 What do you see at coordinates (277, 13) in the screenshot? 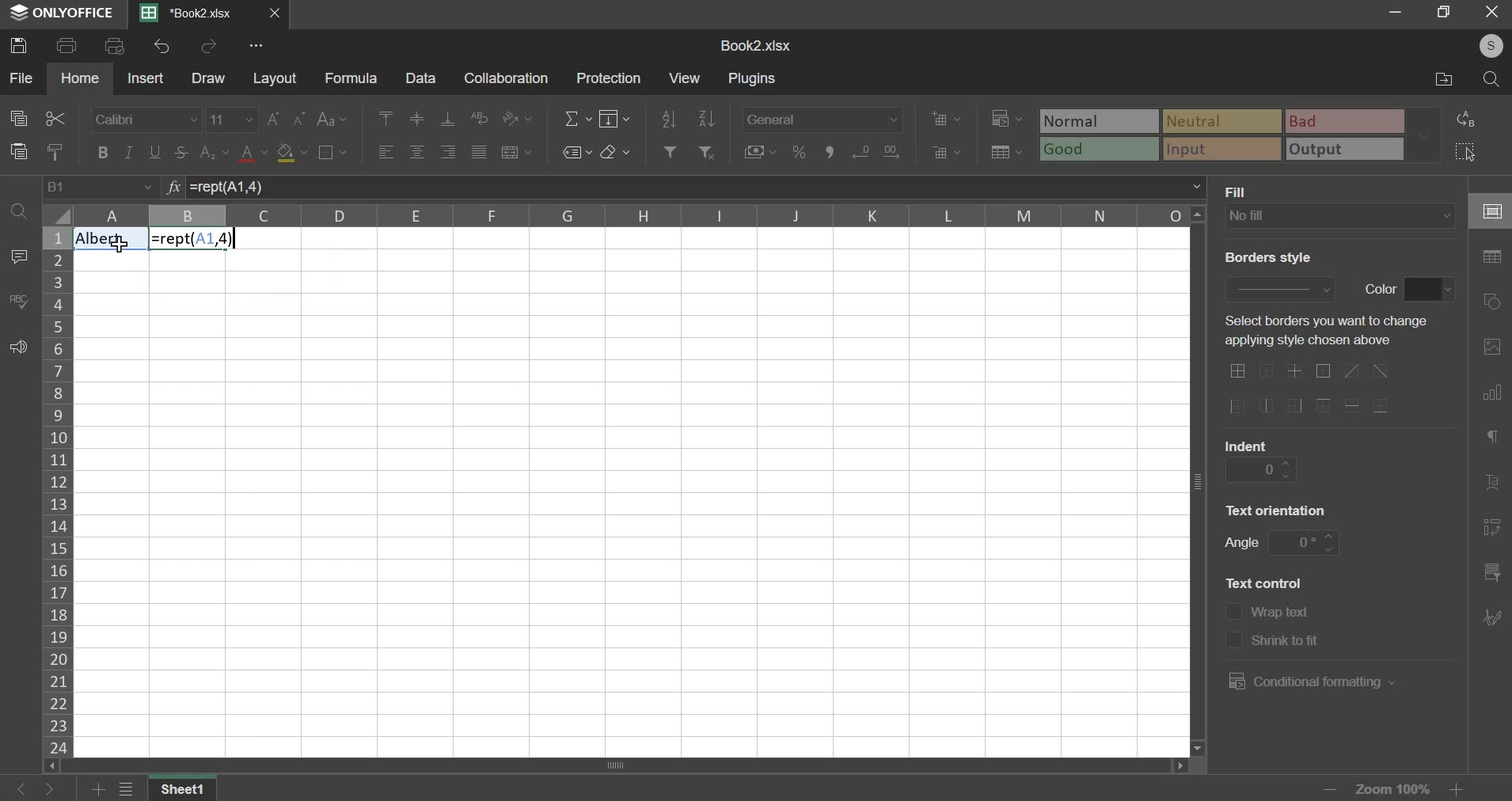
I see `close` at bounding box center [277, 13].